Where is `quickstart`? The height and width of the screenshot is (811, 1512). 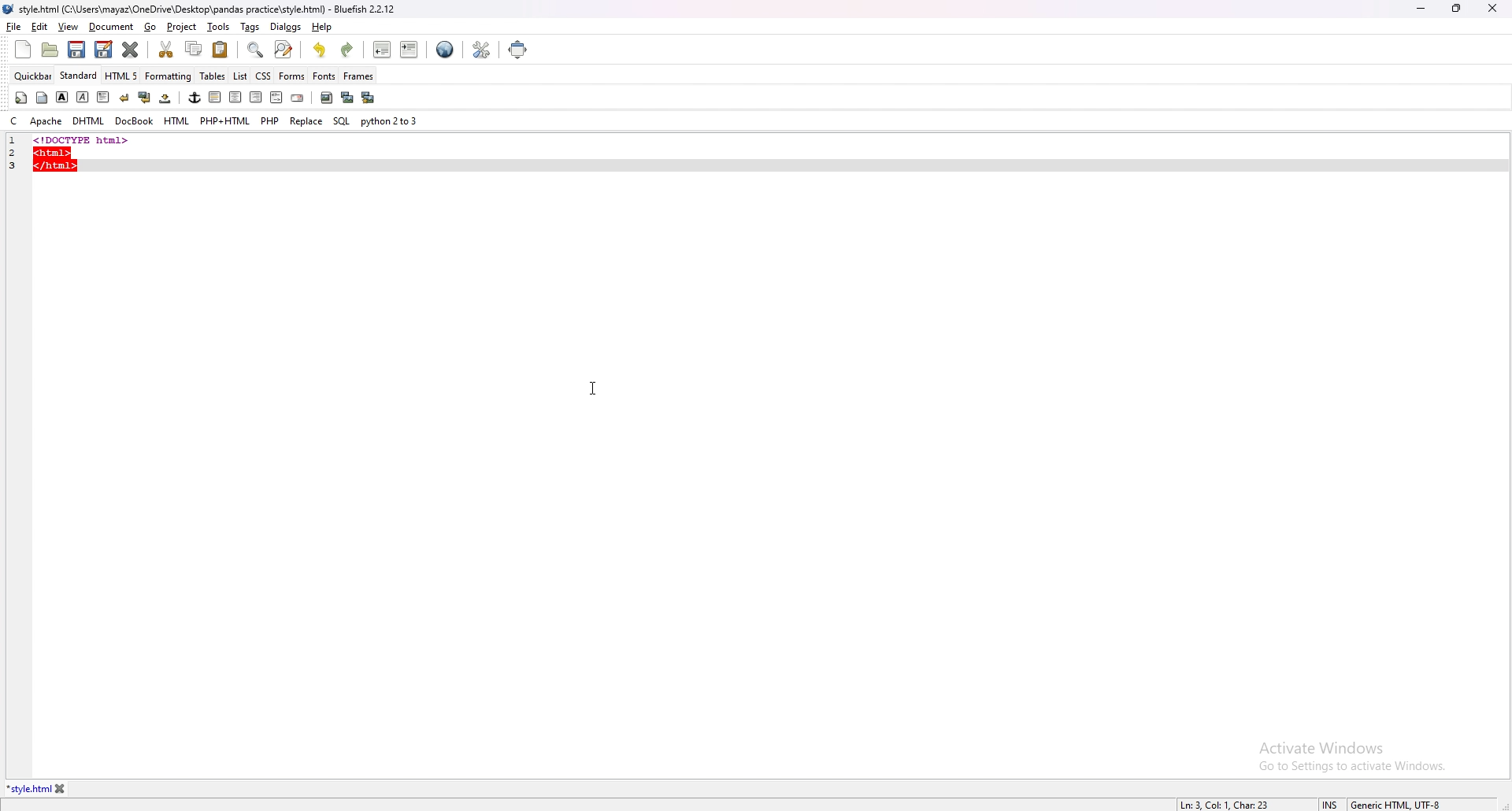
quickstart is located at coordinates (20, 98).